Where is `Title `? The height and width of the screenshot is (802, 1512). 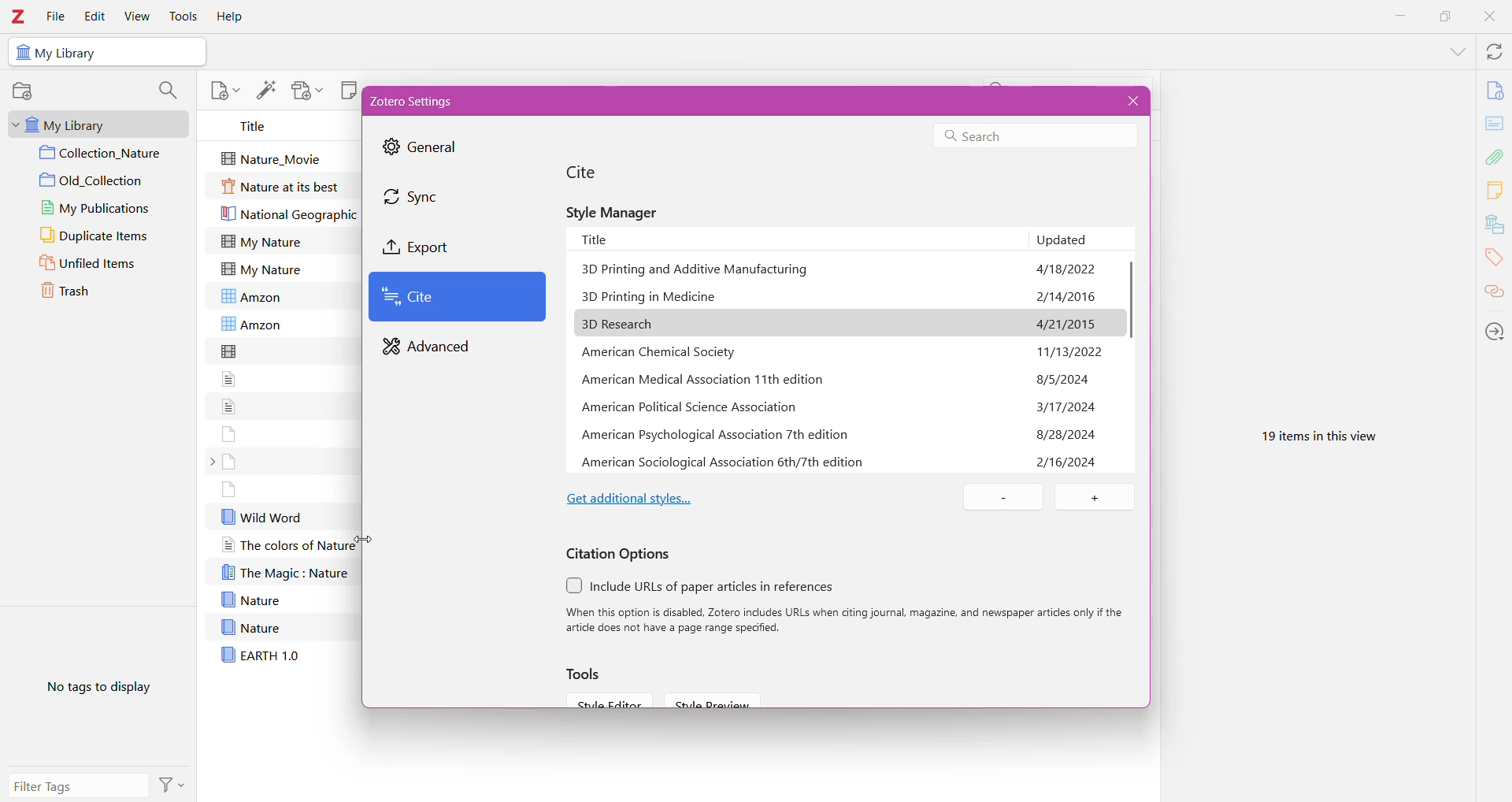 Title  is located at coordinates (258, 126).